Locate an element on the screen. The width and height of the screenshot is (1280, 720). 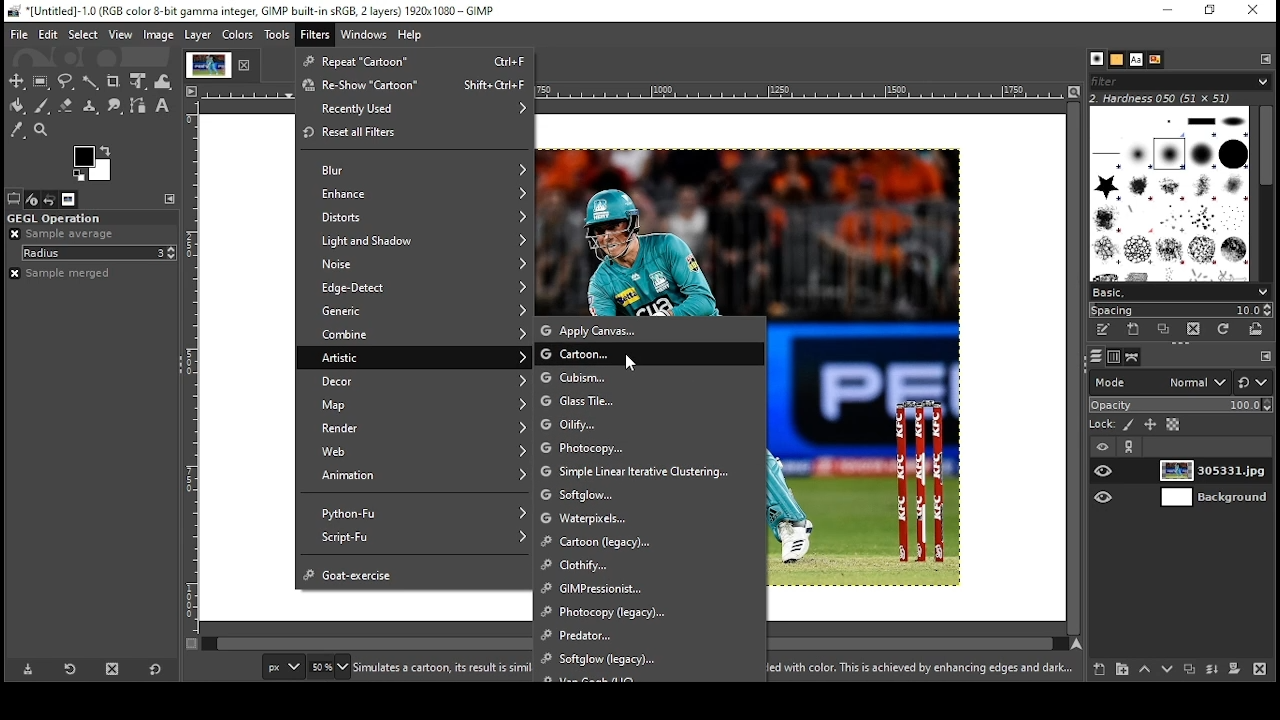
photocopy (legacy) is located at coordinates (651, 613).